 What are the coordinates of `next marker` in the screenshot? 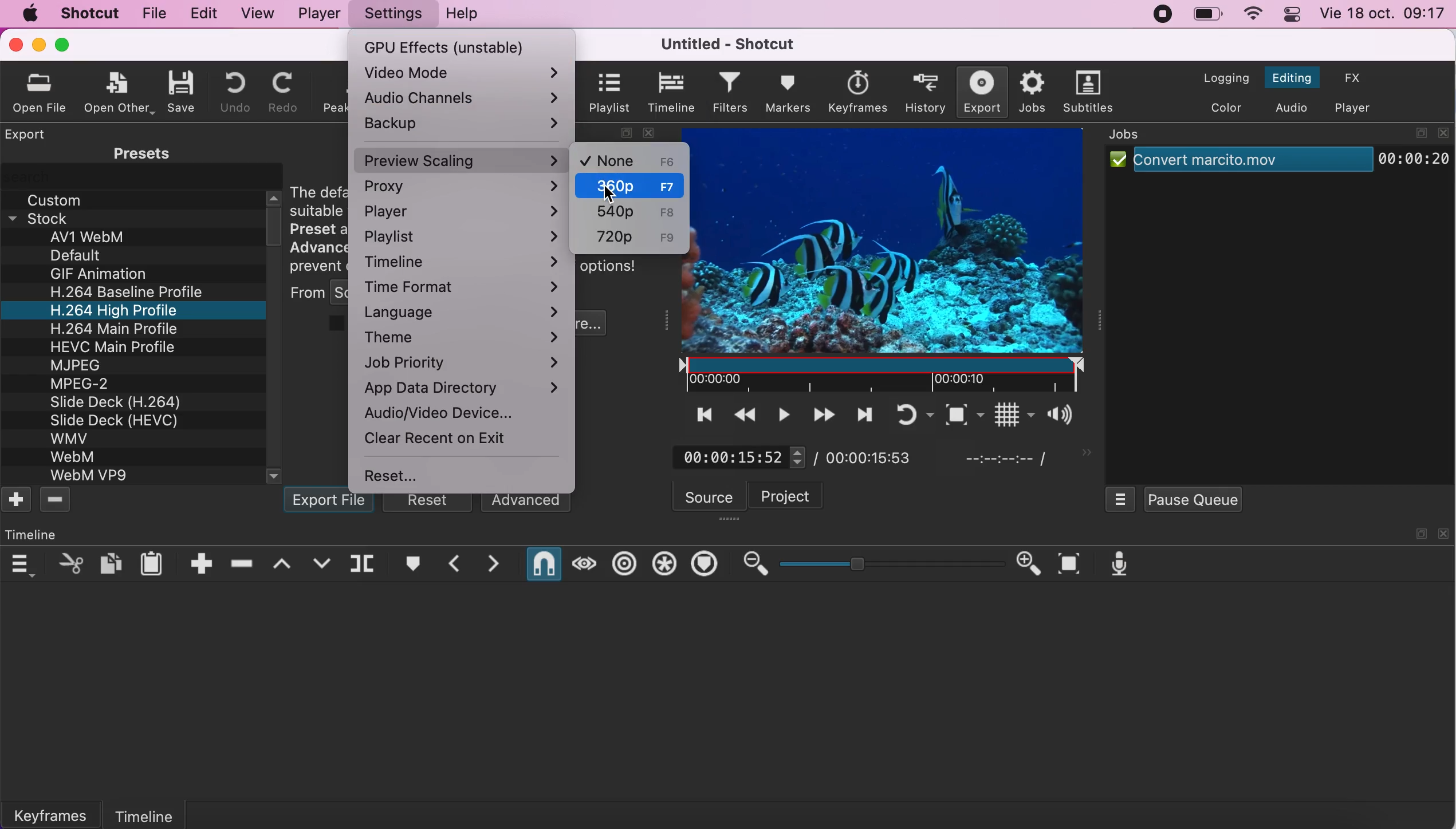 It's located at (494, 564).